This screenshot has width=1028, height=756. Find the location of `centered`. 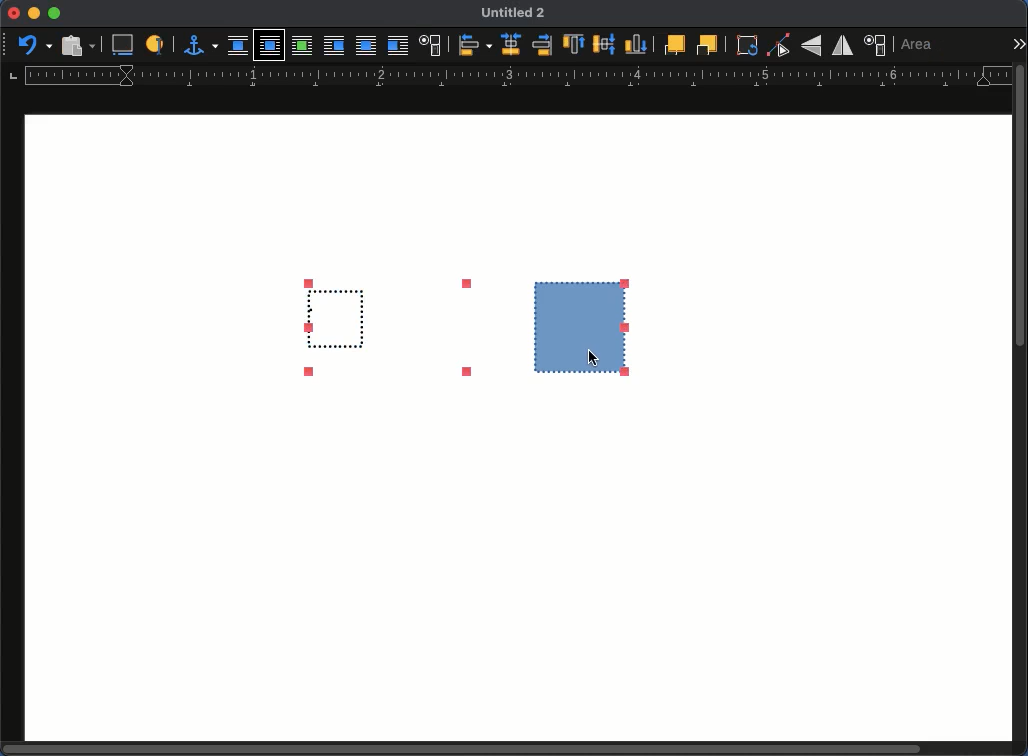

centered is located at coordinates (513, 44).